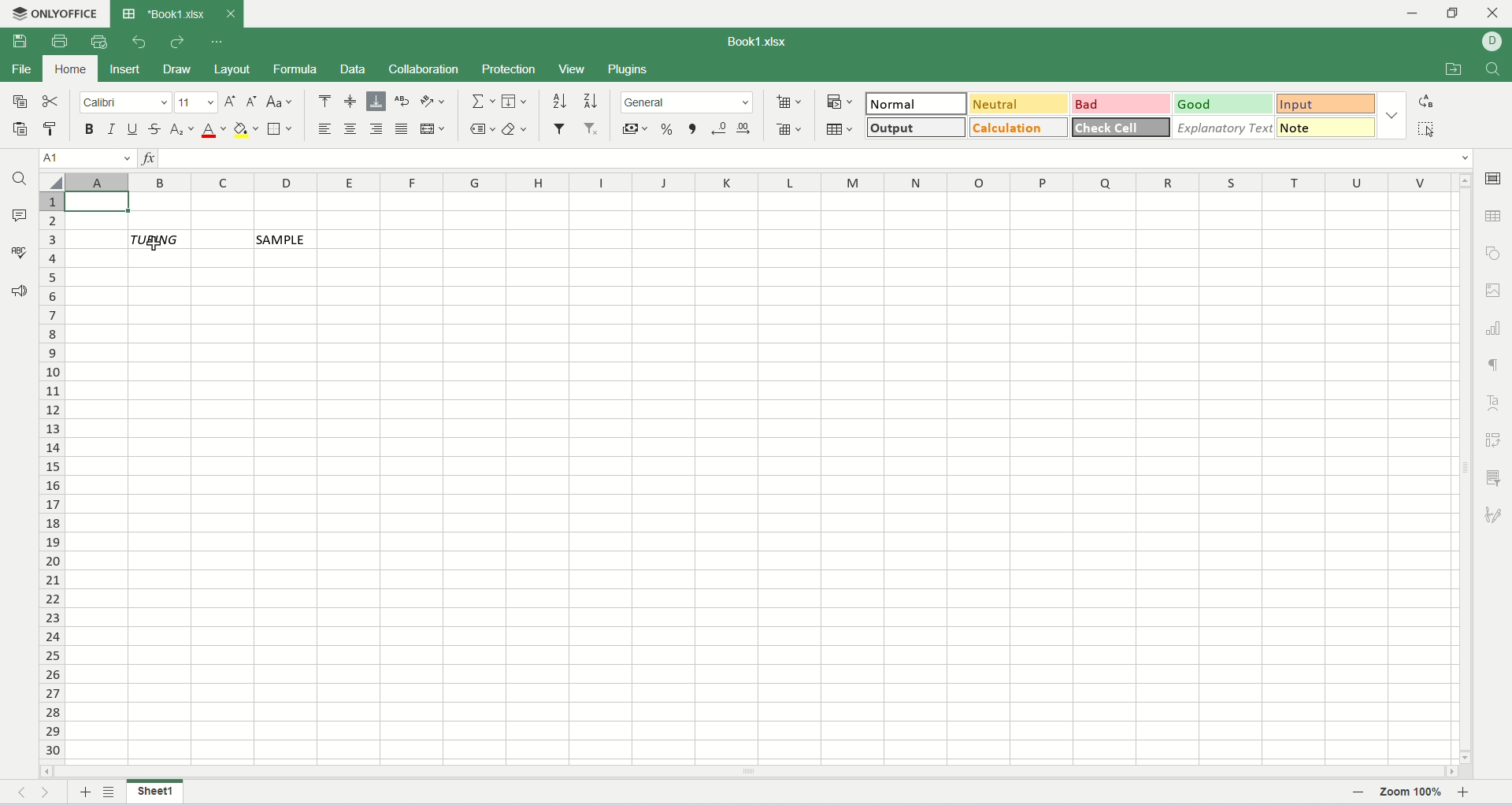 This screenshot has width=1512, height=805. I want to click on number format, so click(687, 102).